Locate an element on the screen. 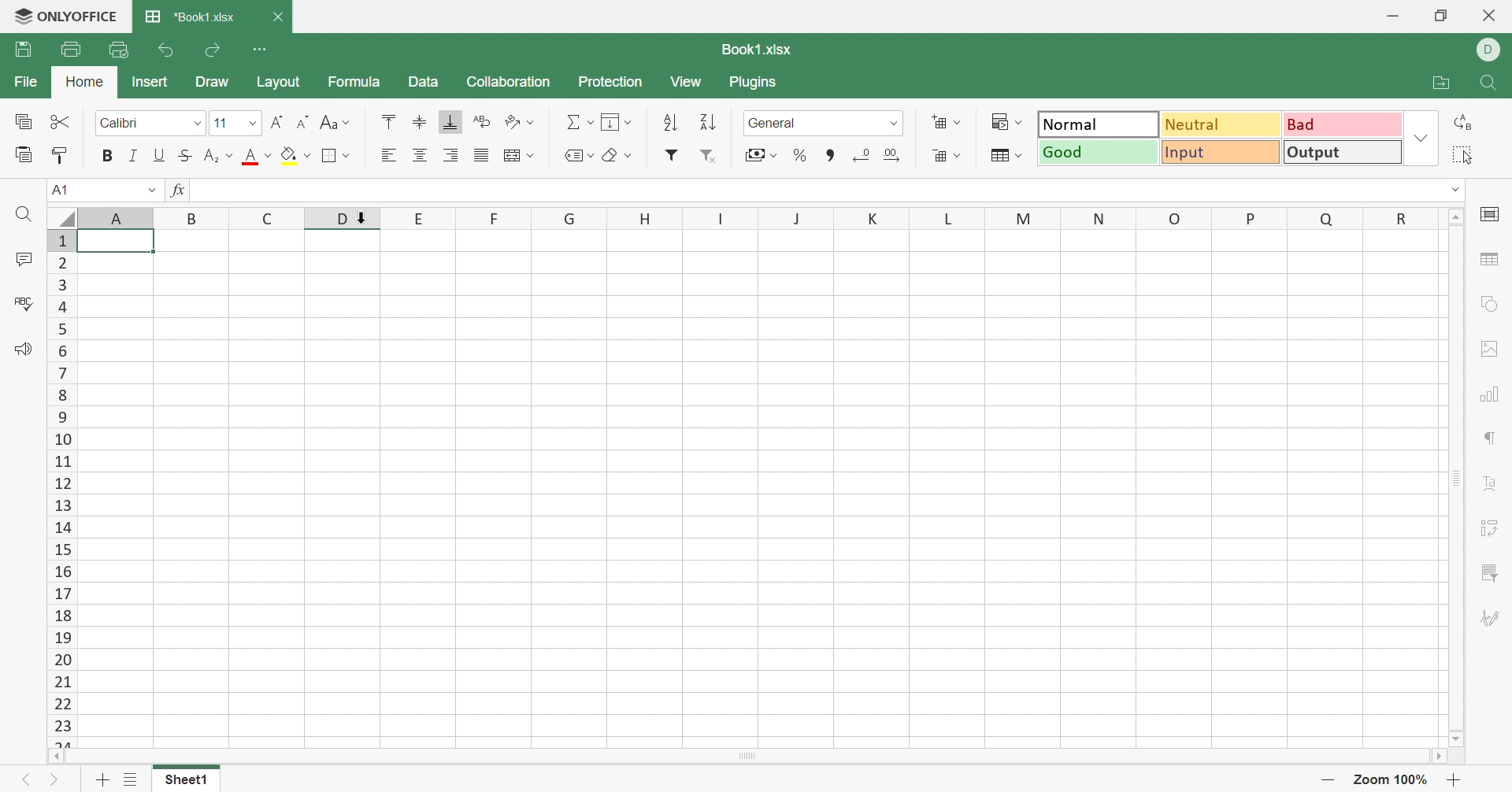 This screenshot has width=1512, height=792. Insert filter is located at coordinates (672, 154).